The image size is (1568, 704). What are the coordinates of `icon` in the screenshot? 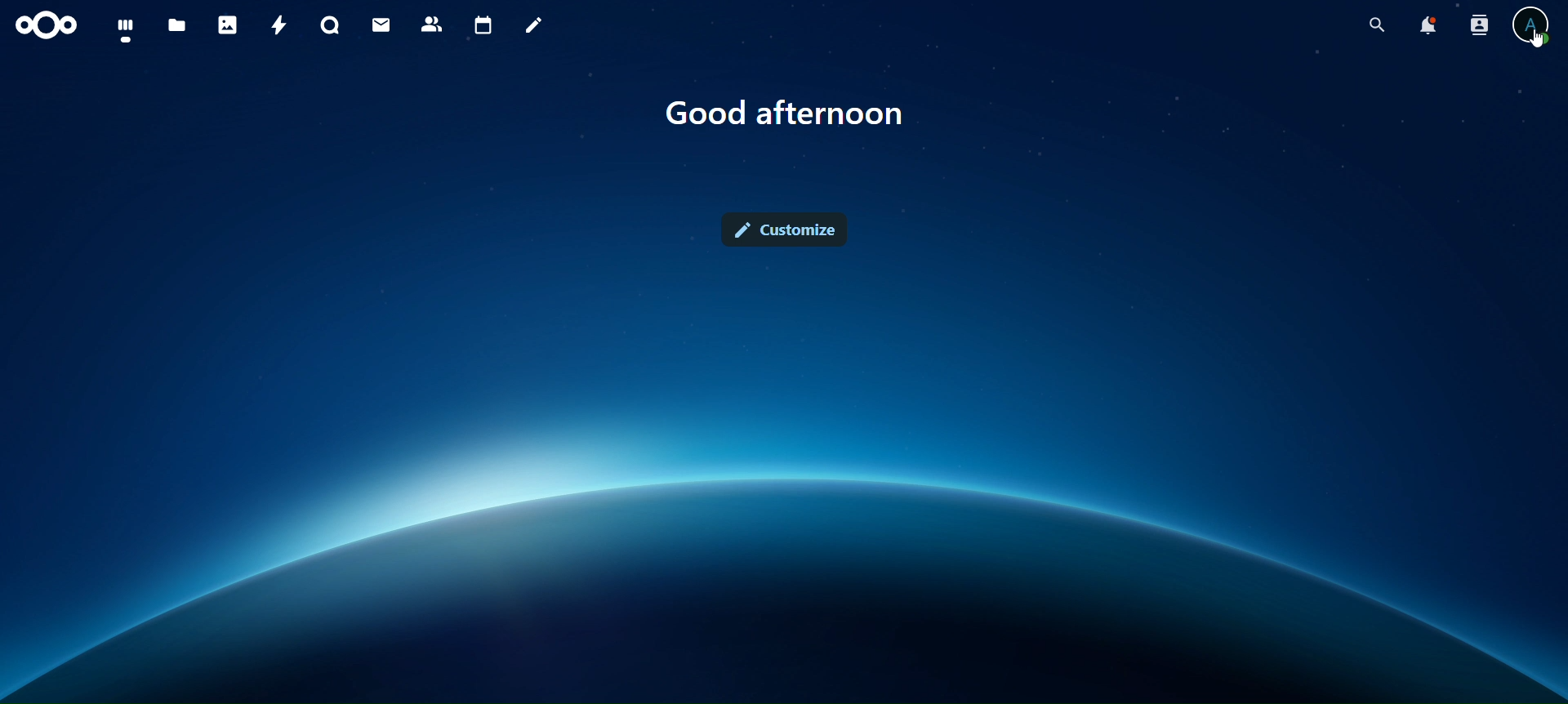 It's located at (49, 28).